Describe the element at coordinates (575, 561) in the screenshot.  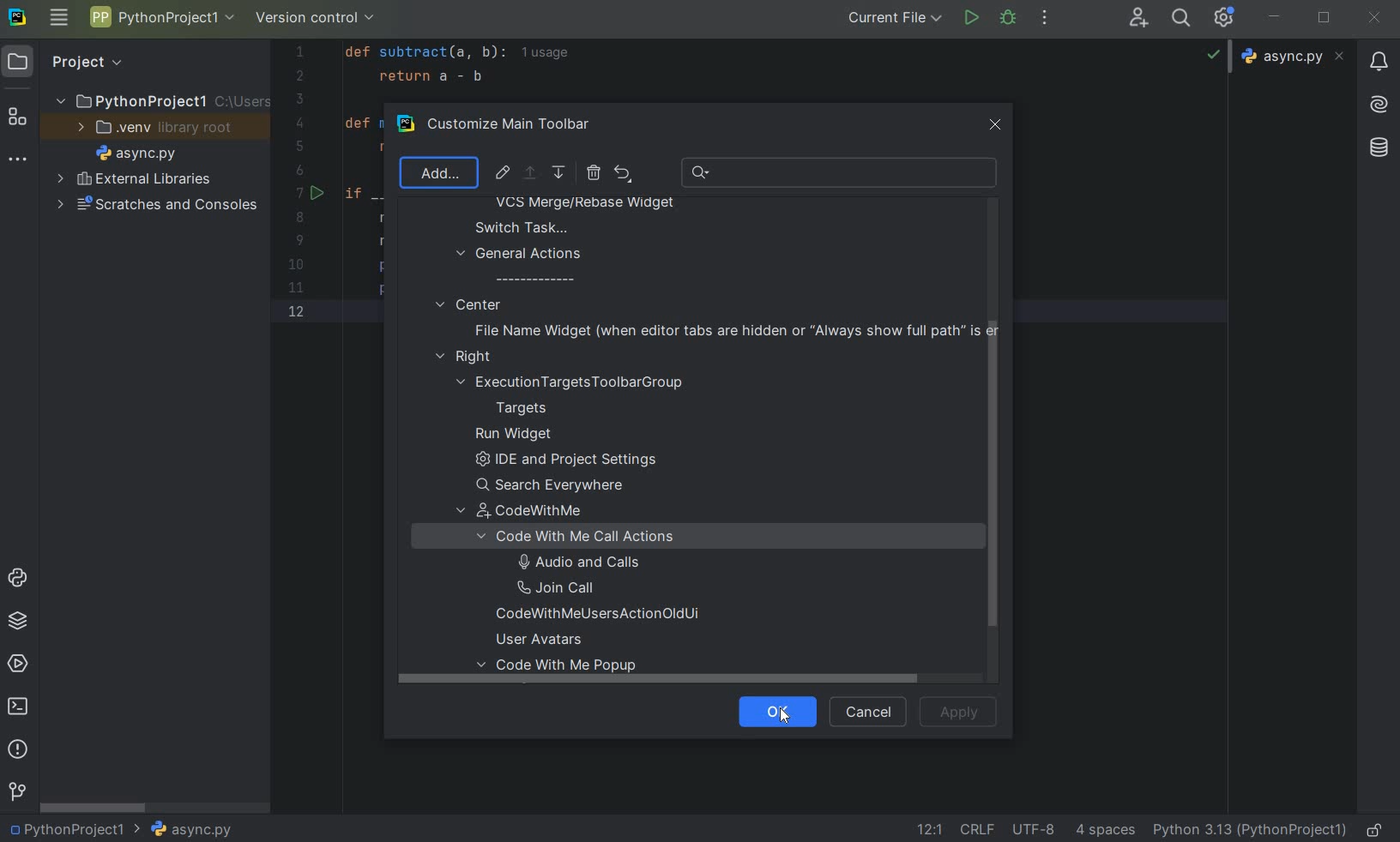
I see `audio and calls` at that location.